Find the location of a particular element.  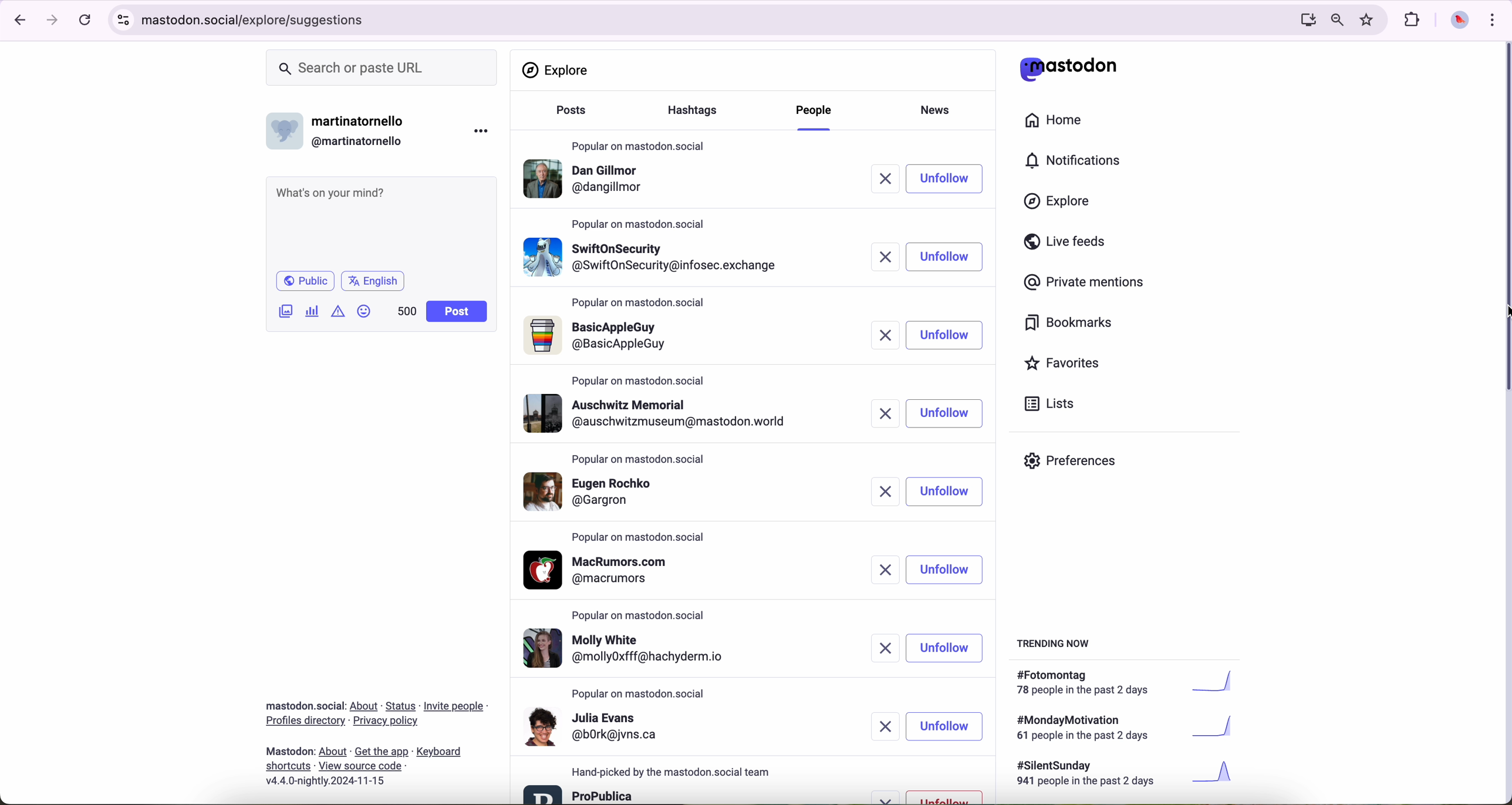

popular on mastodon.social is located at coordinates (640, 538).